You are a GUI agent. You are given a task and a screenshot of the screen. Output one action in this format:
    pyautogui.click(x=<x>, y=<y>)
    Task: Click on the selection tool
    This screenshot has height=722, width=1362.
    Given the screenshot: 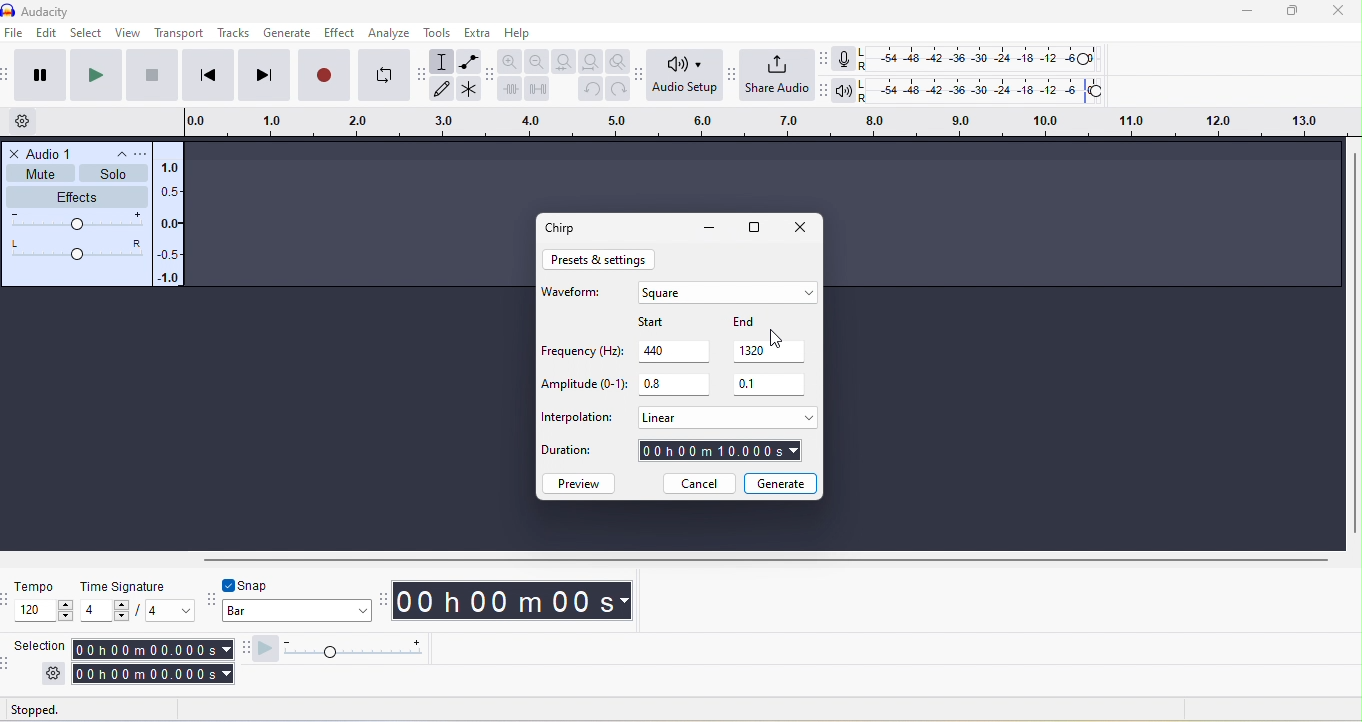 What is the action you would take?
    pyautogui.click(x=444, y=61)
    